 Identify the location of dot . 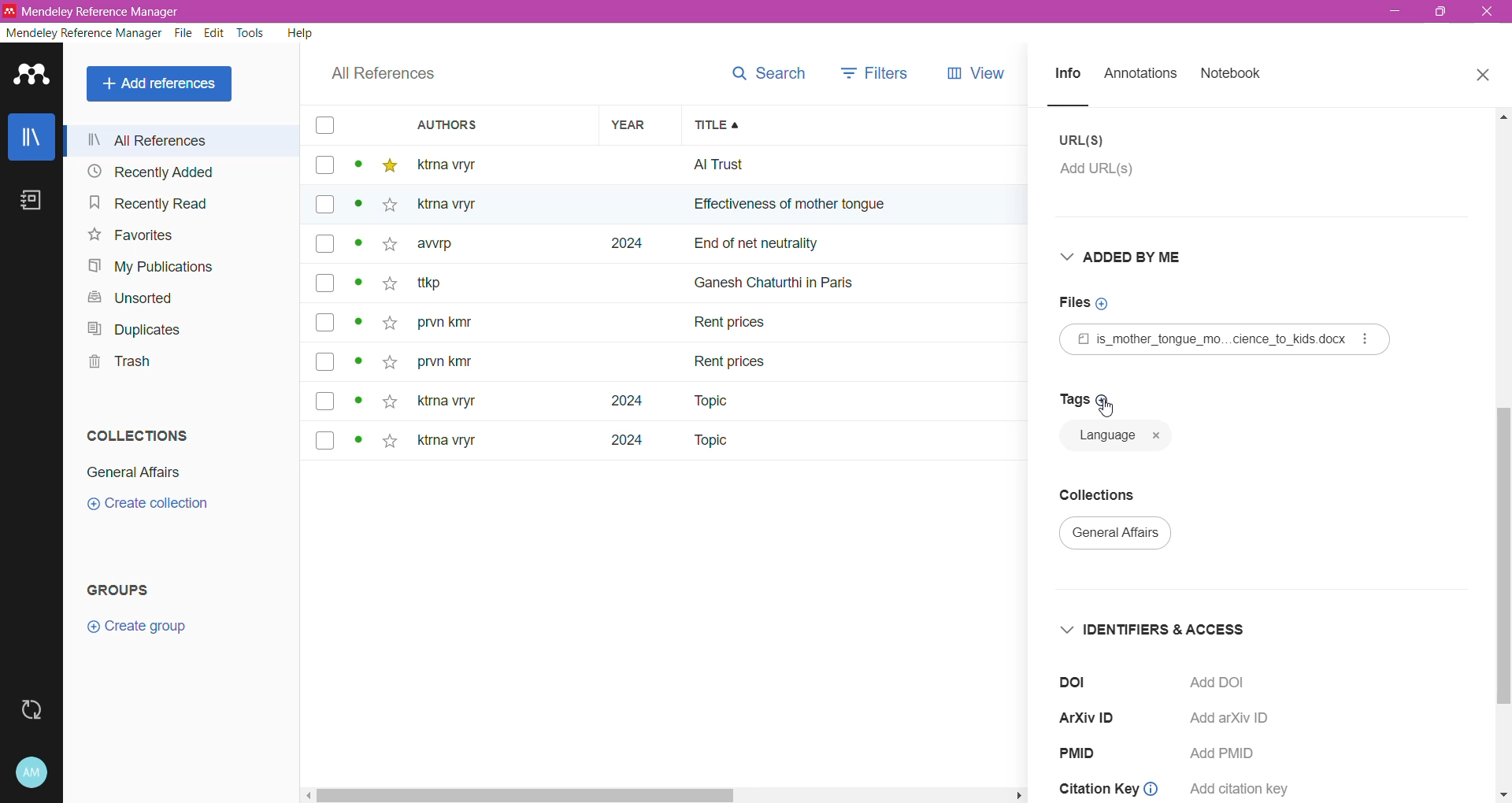
(360, 401).